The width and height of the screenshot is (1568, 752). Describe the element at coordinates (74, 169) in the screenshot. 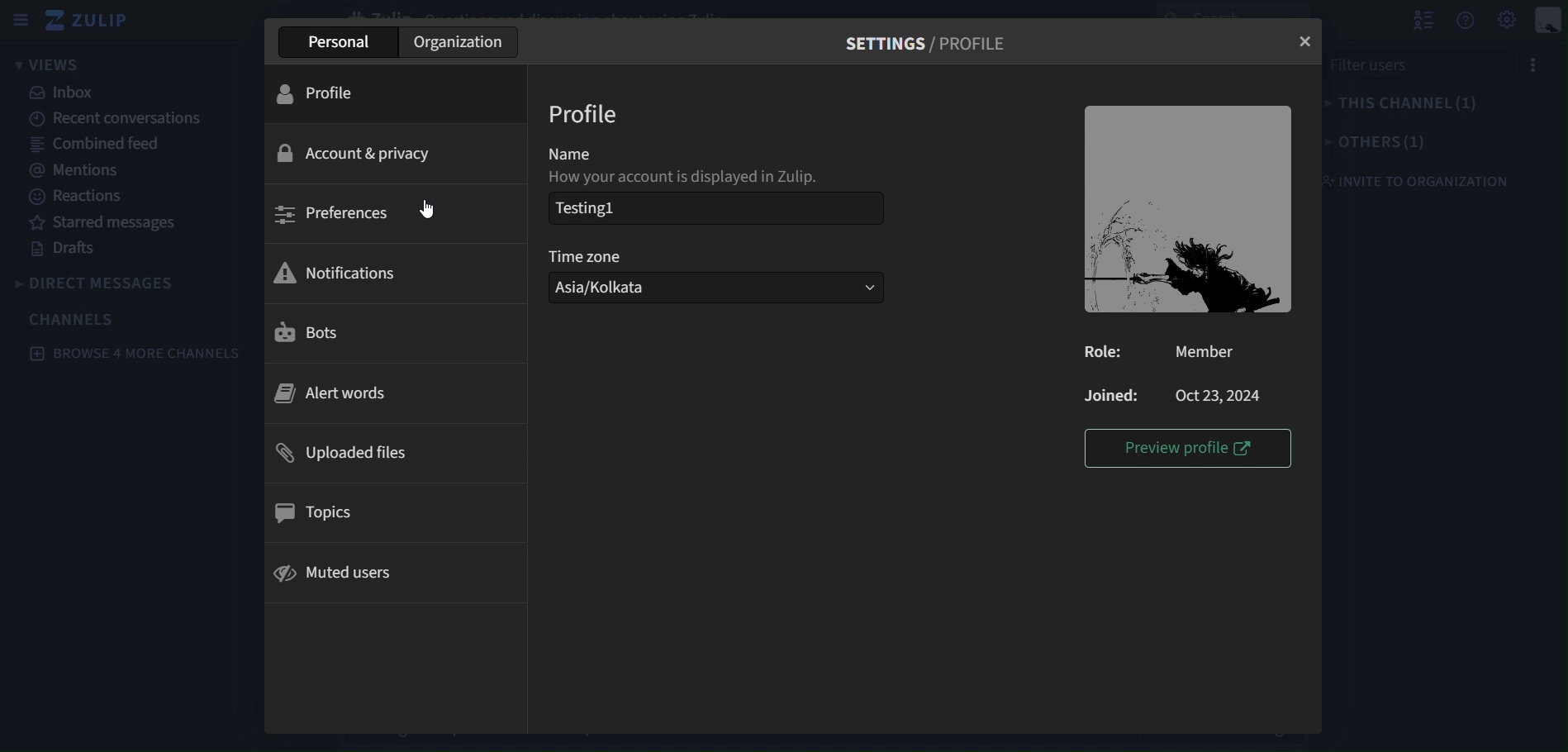

I see `mentions` at that location.